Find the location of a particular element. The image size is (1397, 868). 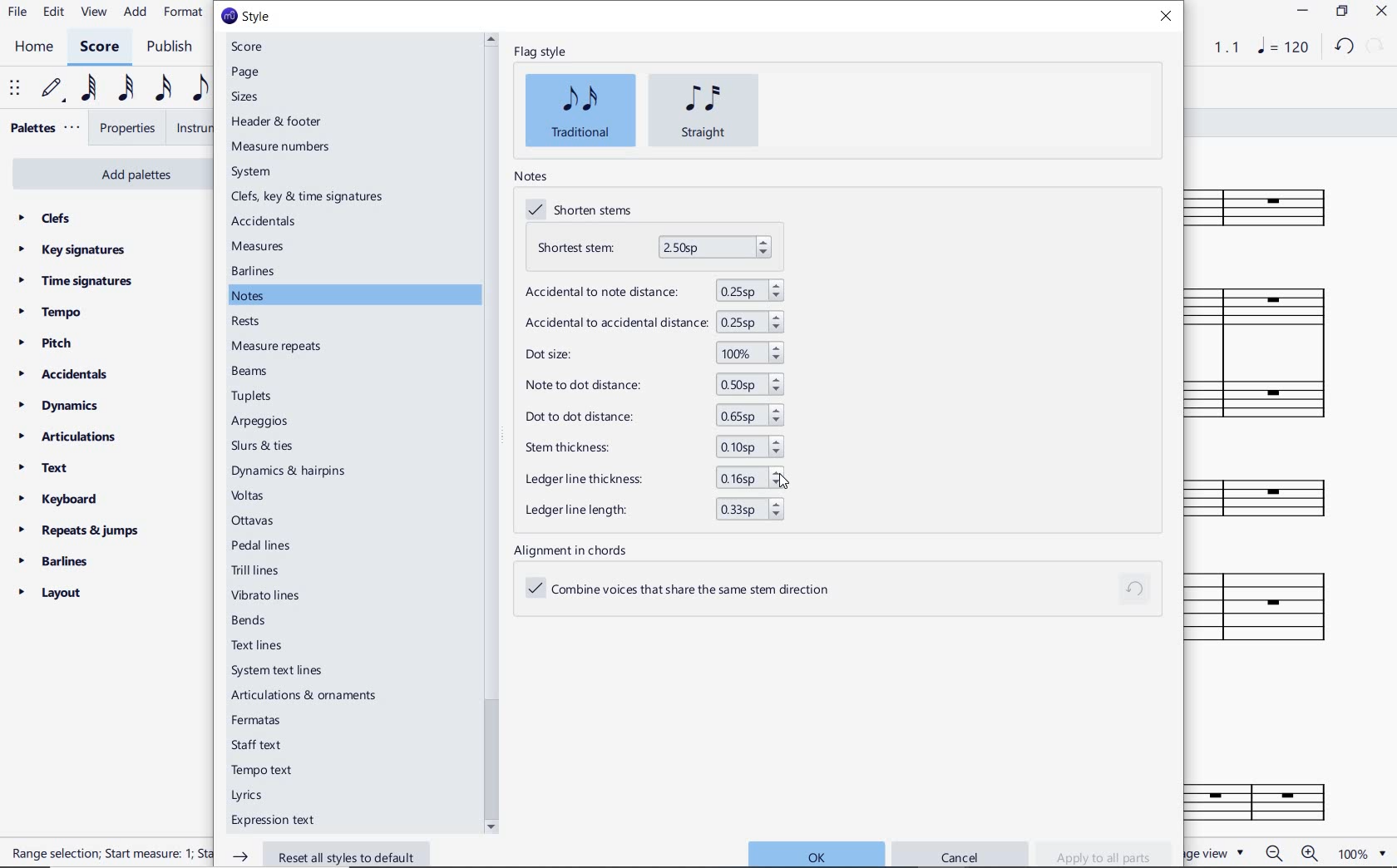

text lines is located at coordinates (256, 644).